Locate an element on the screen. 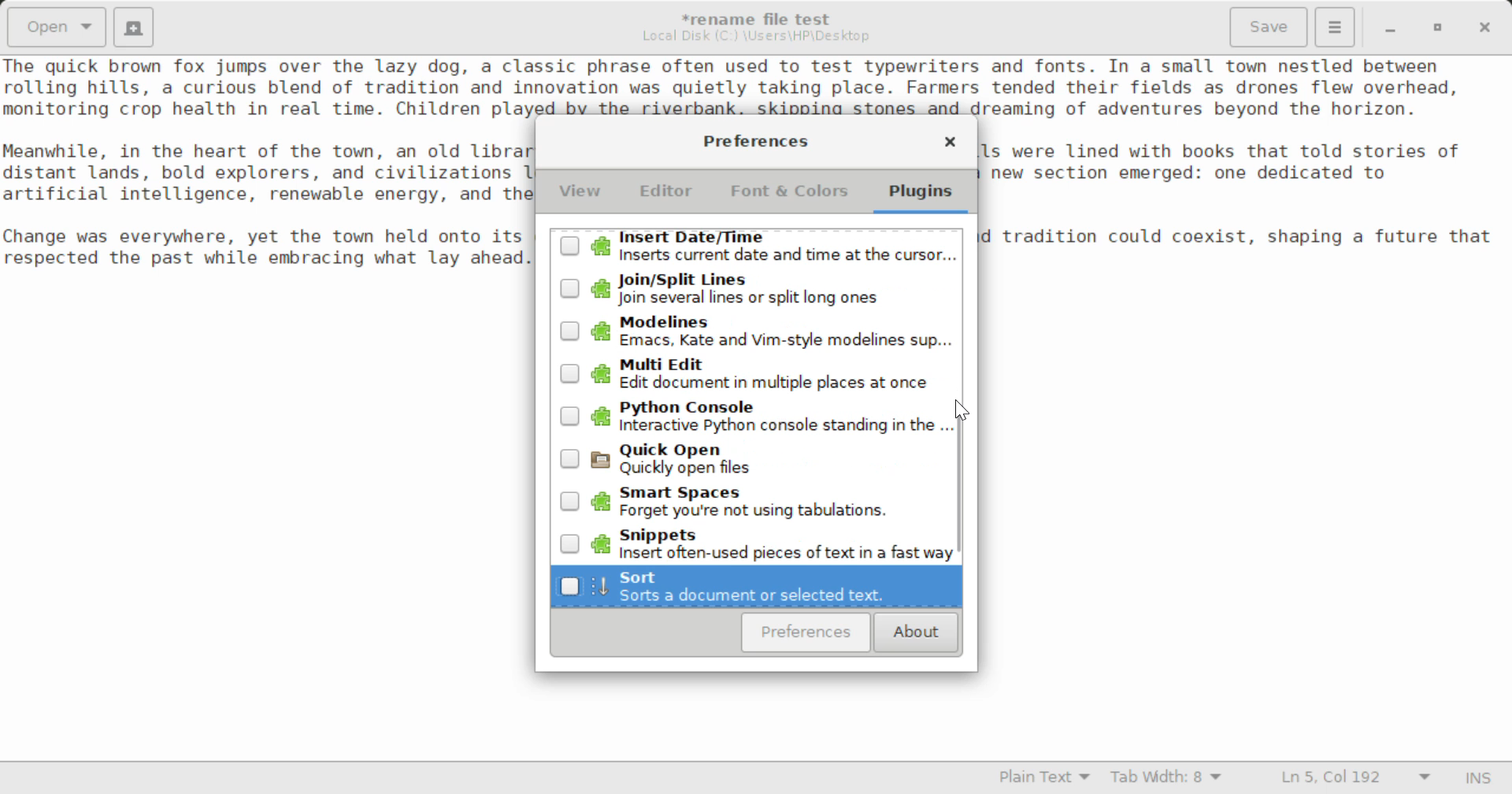 The width and height of the screenshot is (1512, 794). Restore Down is located at coordinates (1388, 28).